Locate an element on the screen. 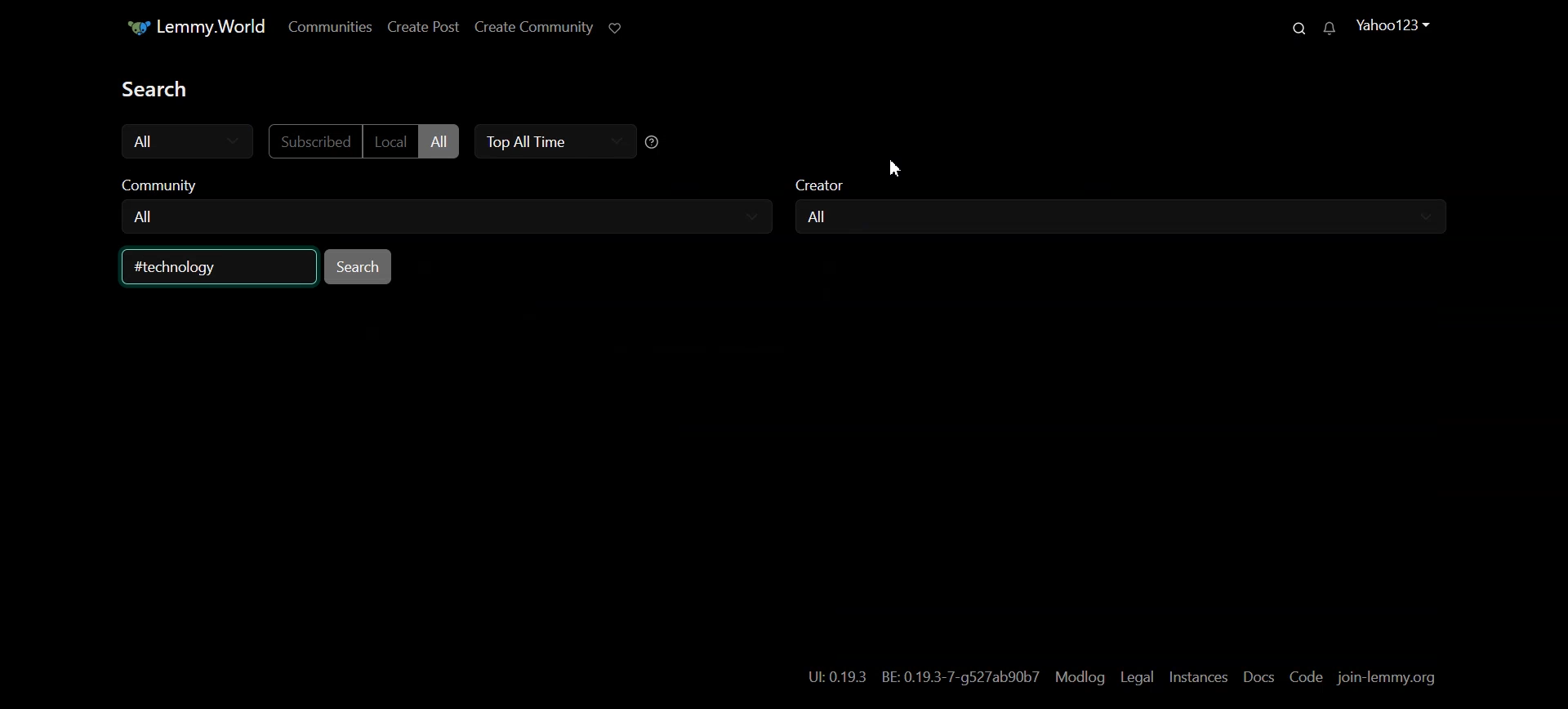  All is located at coordinates (822, 216).